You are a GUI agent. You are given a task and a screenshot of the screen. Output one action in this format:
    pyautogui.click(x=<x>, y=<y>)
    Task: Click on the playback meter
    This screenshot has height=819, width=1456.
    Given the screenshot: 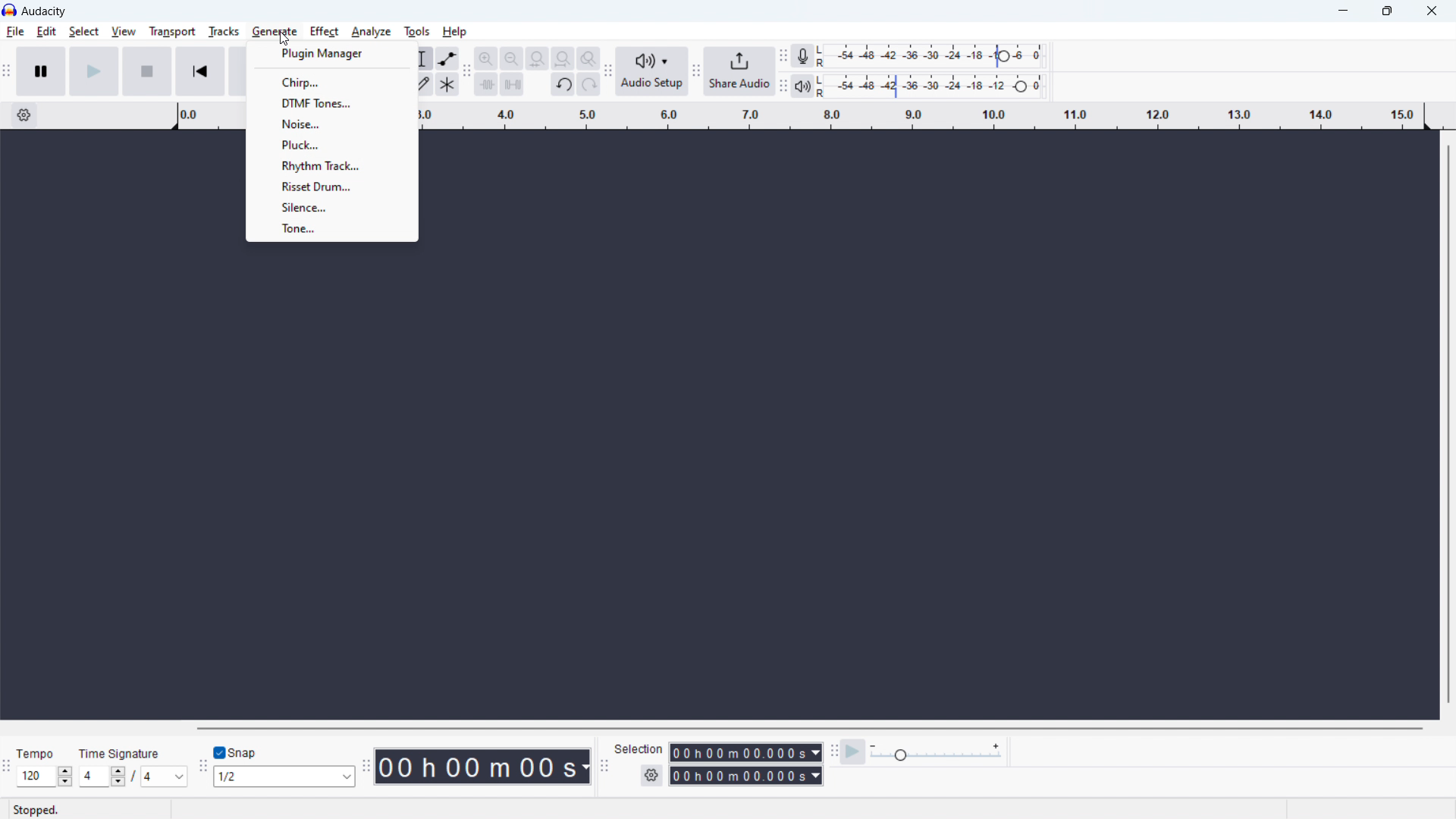 What is the action you would take?
    pyautogui.click(x=937, y=86)
    